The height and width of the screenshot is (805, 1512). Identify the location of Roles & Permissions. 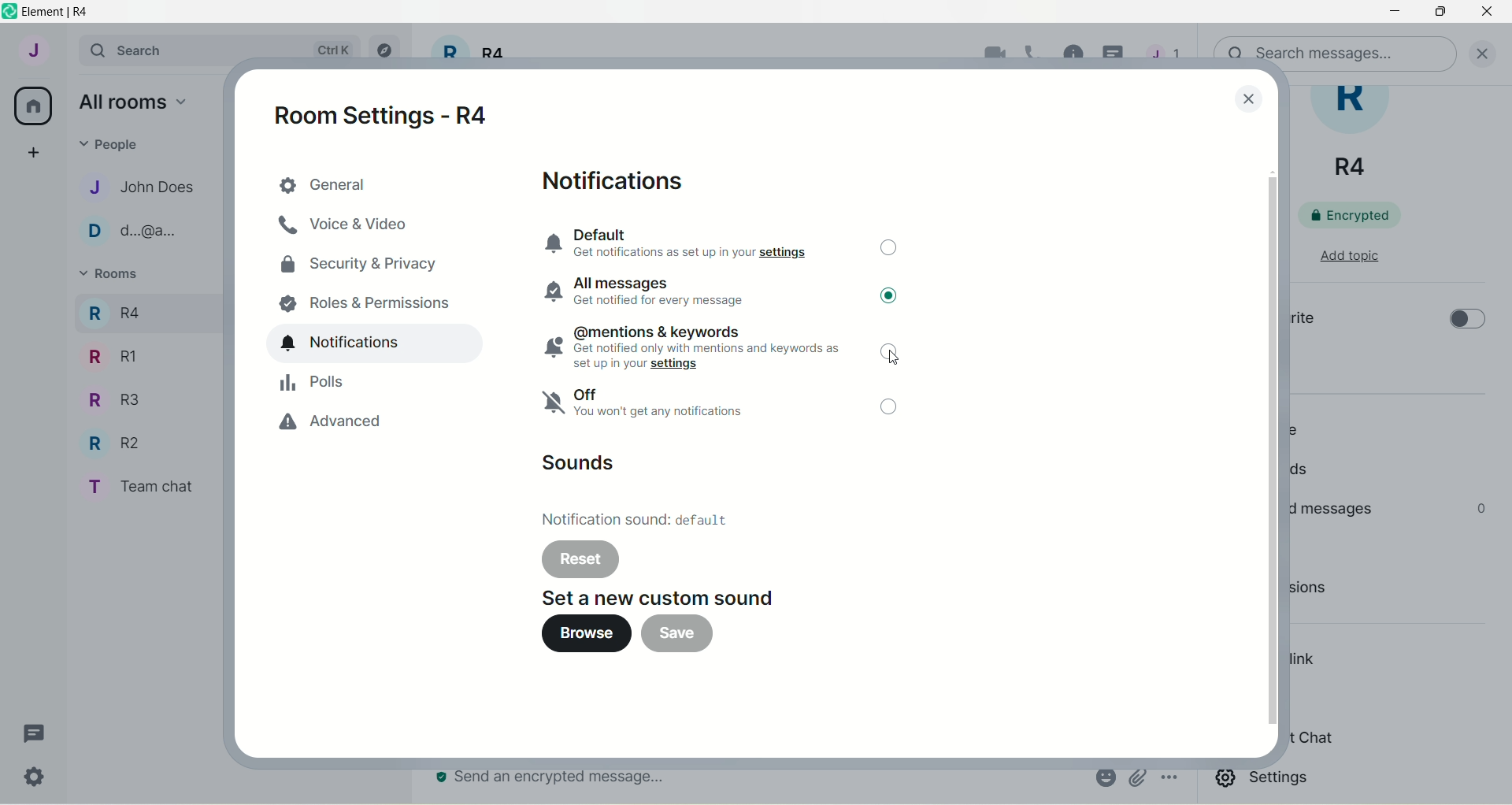
(365, 299).